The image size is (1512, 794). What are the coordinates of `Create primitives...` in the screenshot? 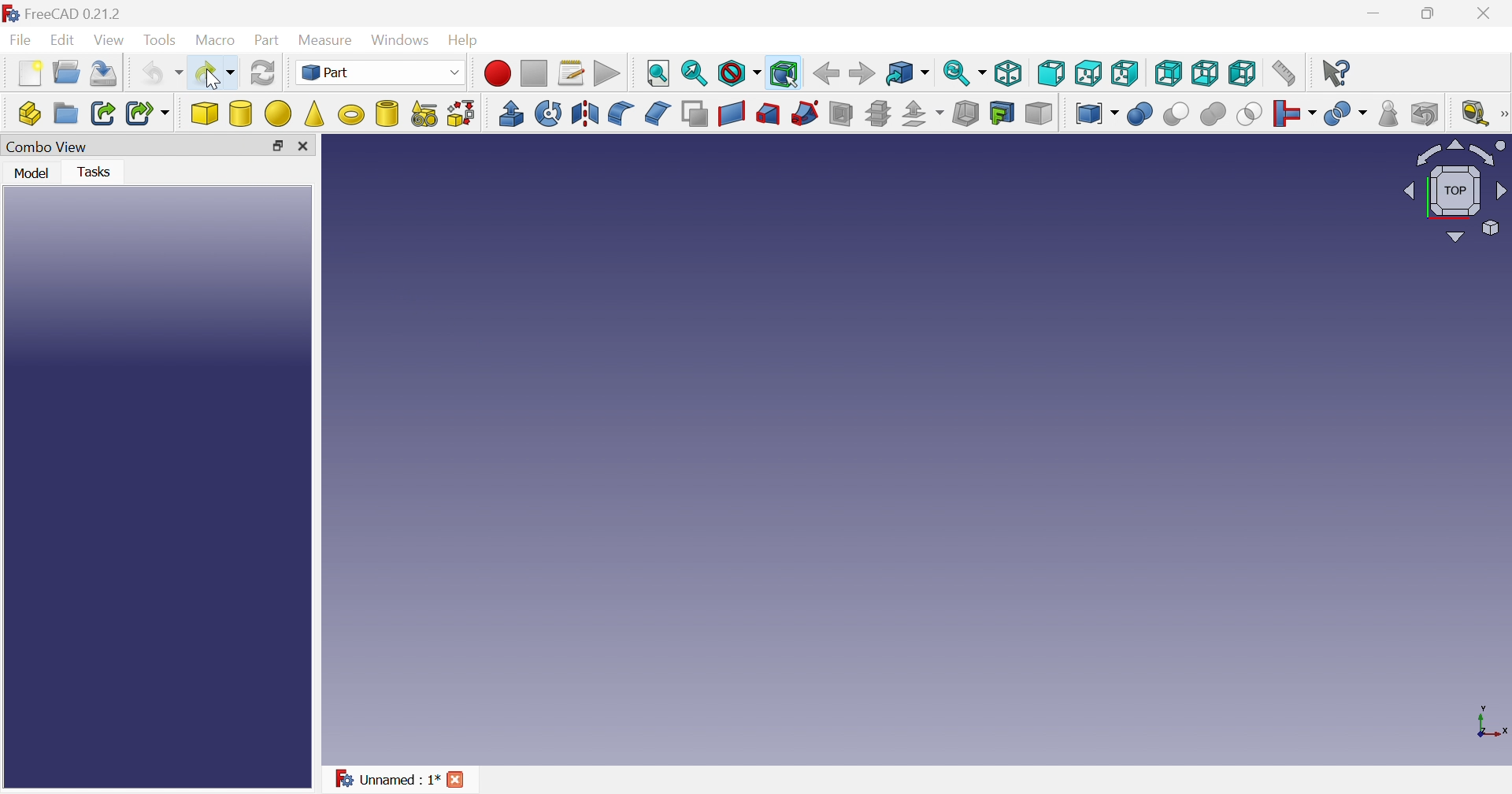 It's located at (425, 114).